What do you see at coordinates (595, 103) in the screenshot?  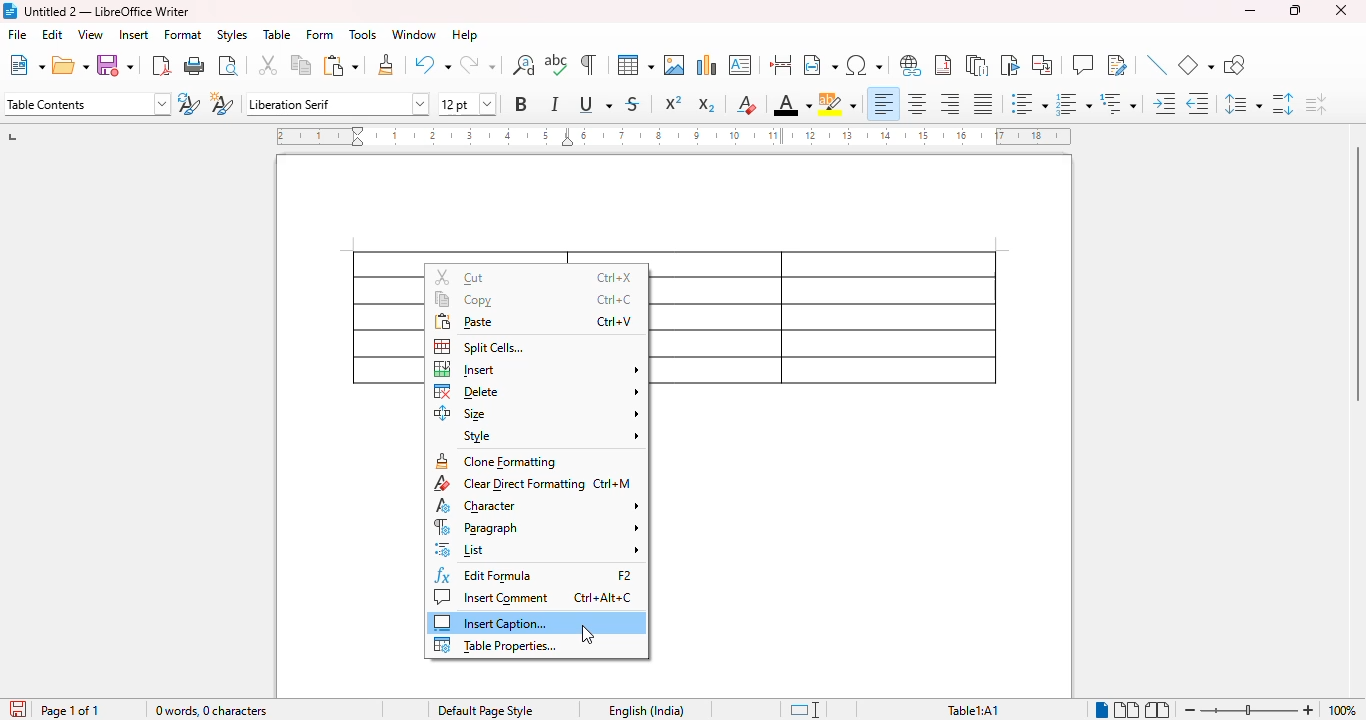 I see `underline` at bounding box center [595, 103].